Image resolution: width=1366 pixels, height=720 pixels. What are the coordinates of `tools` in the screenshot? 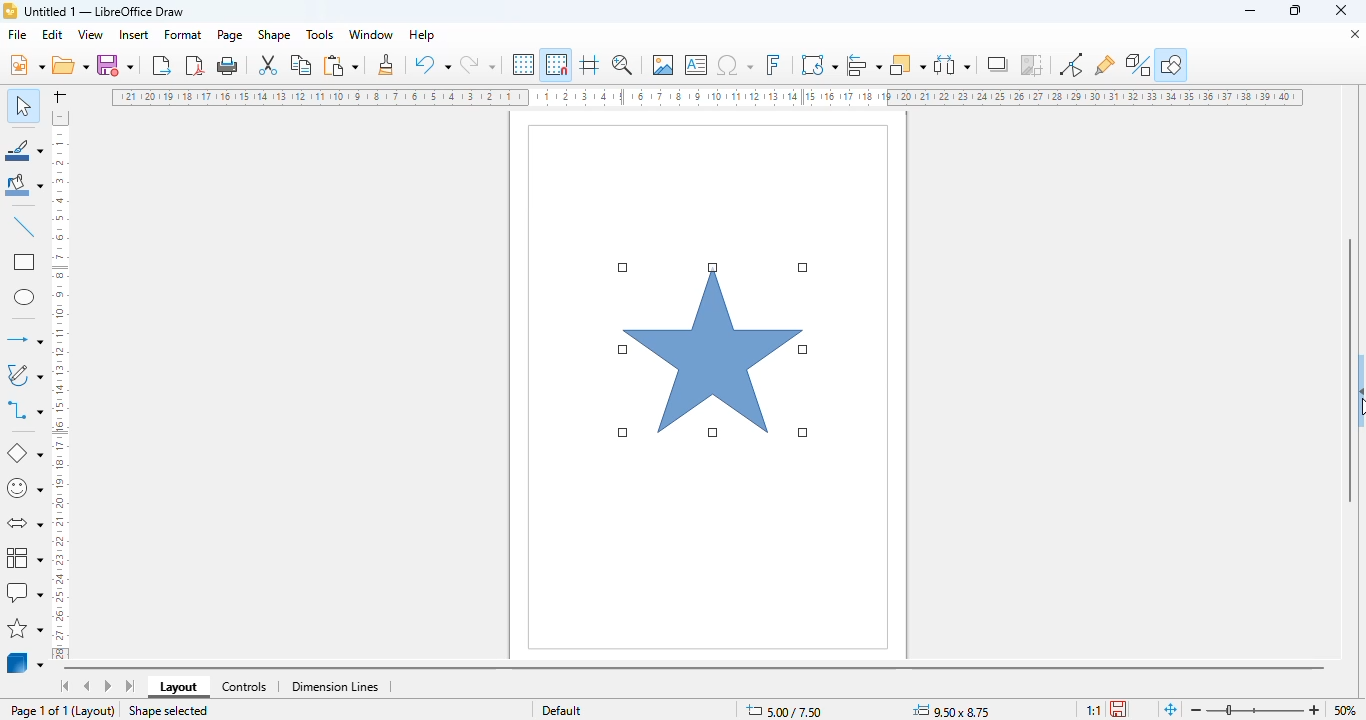 It's located at (320, 35).